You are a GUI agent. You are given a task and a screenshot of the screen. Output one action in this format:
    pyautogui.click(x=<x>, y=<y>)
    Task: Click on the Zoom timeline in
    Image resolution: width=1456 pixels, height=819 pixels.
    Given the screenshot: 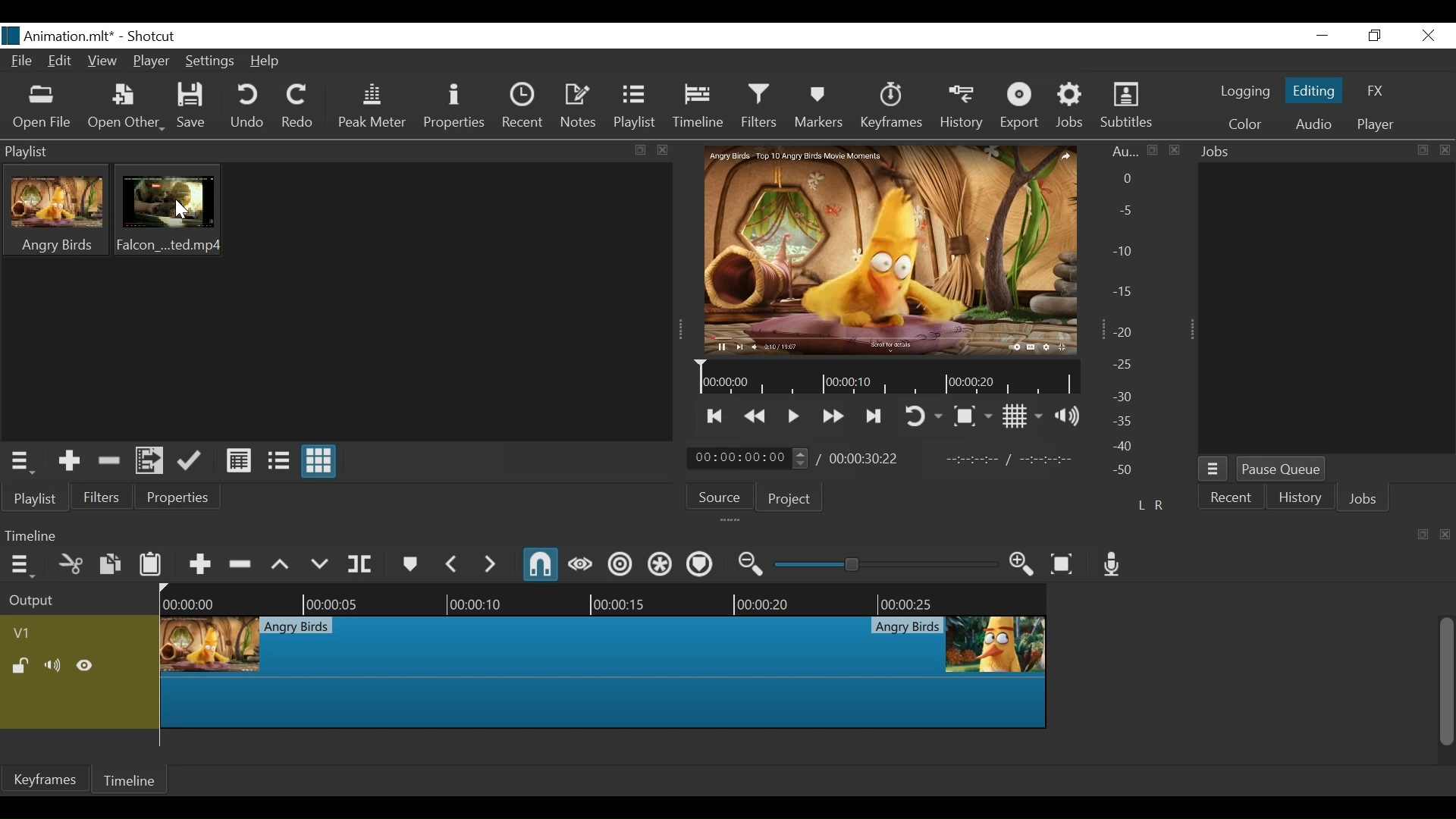 What is the action you would take?
    pyautogui.click(x=1022, y=566)
    